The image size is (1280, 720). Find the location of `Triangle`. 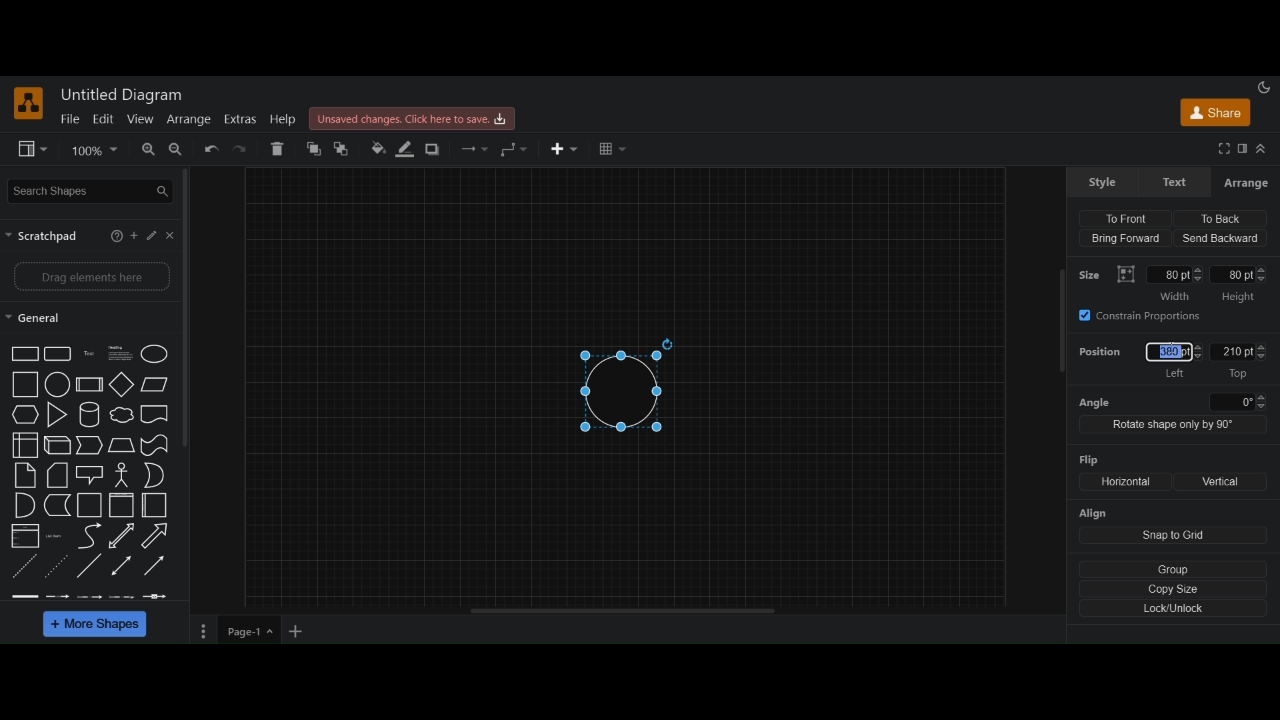

Triangle is located at coordinates (58, 416).